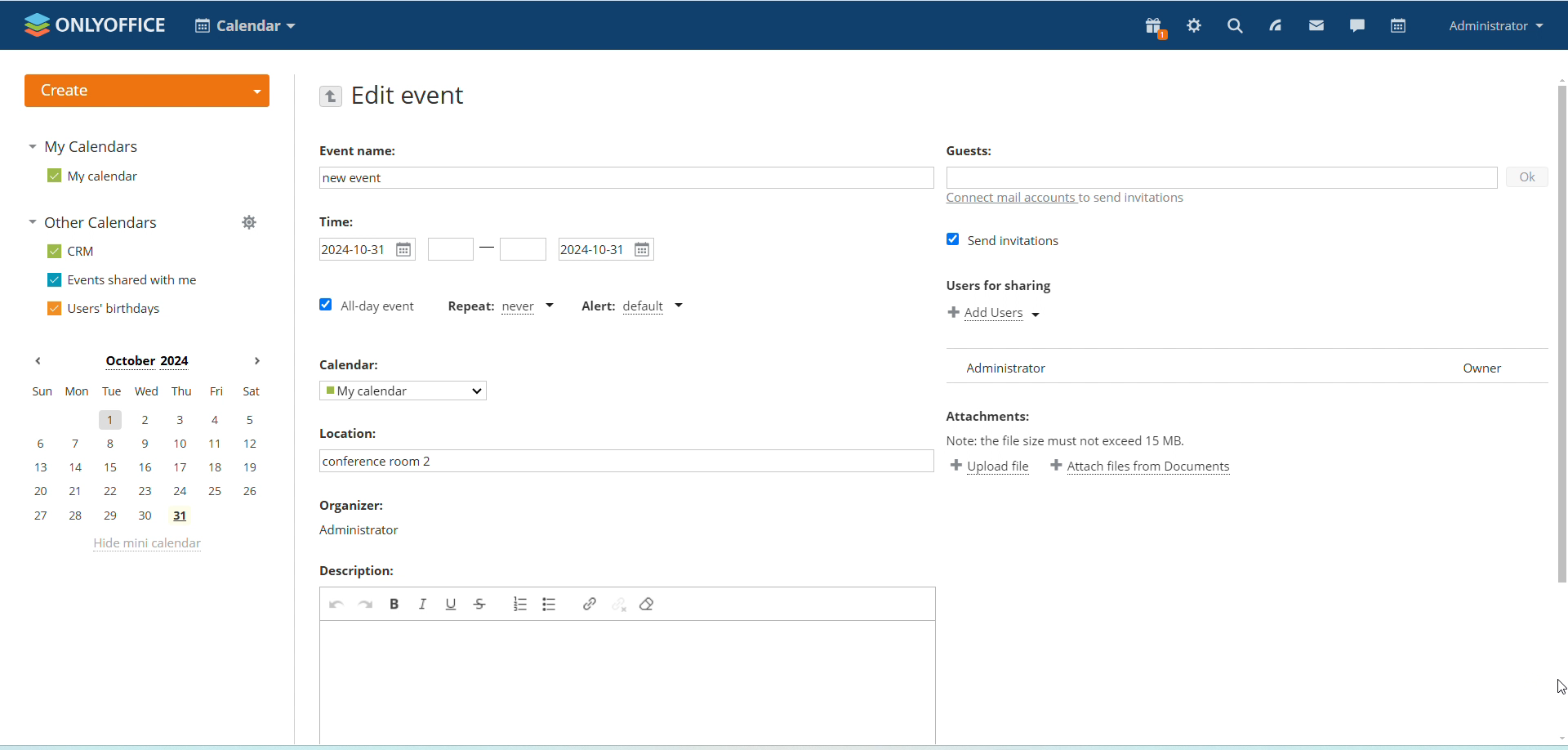  What do you see at coordinates (348, 363) in the screenshot?
I see `Calendar` at bounding box center [348, 363].